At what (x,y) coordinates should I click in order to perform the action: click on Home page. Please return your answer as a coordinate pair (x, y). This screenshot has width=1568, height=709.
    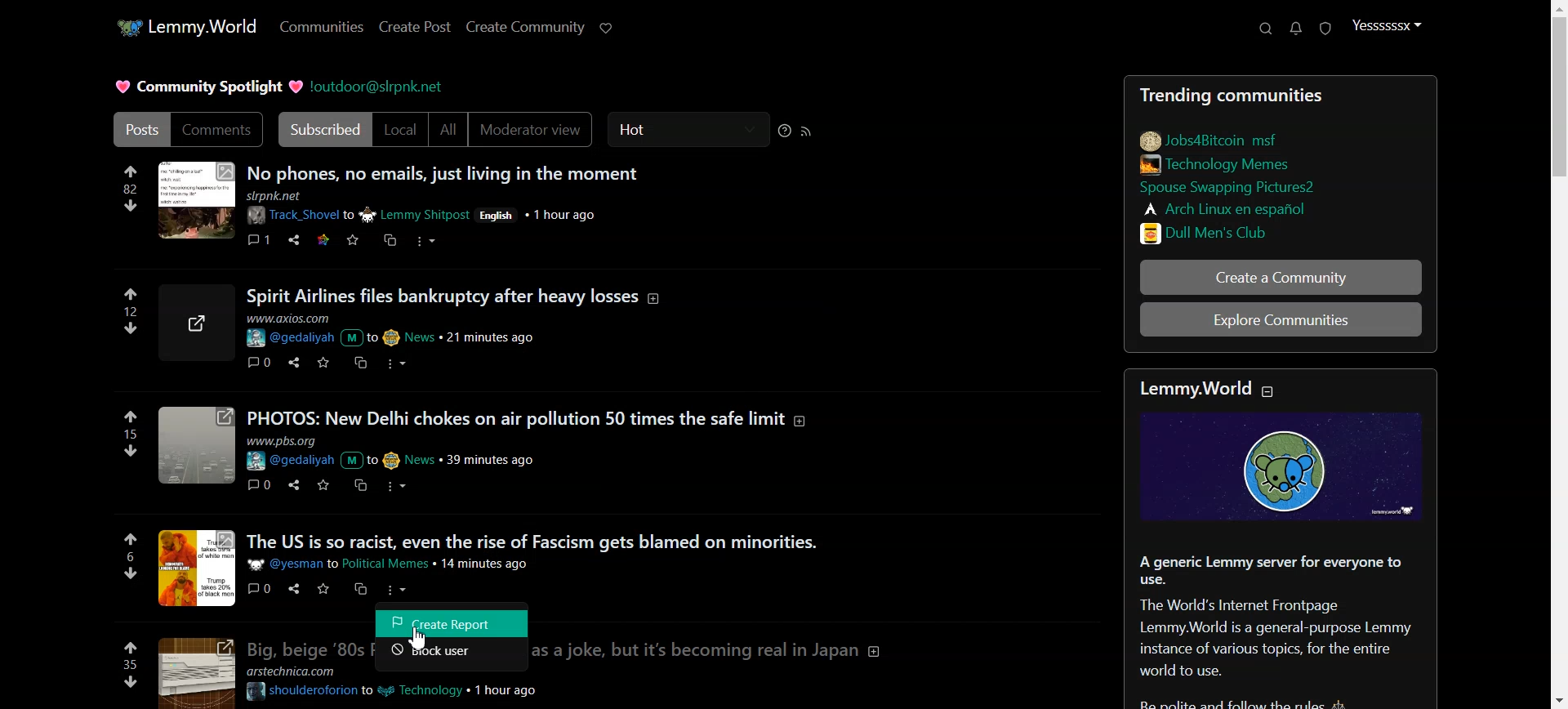
    Looking at the image, I should click on (184, 25).